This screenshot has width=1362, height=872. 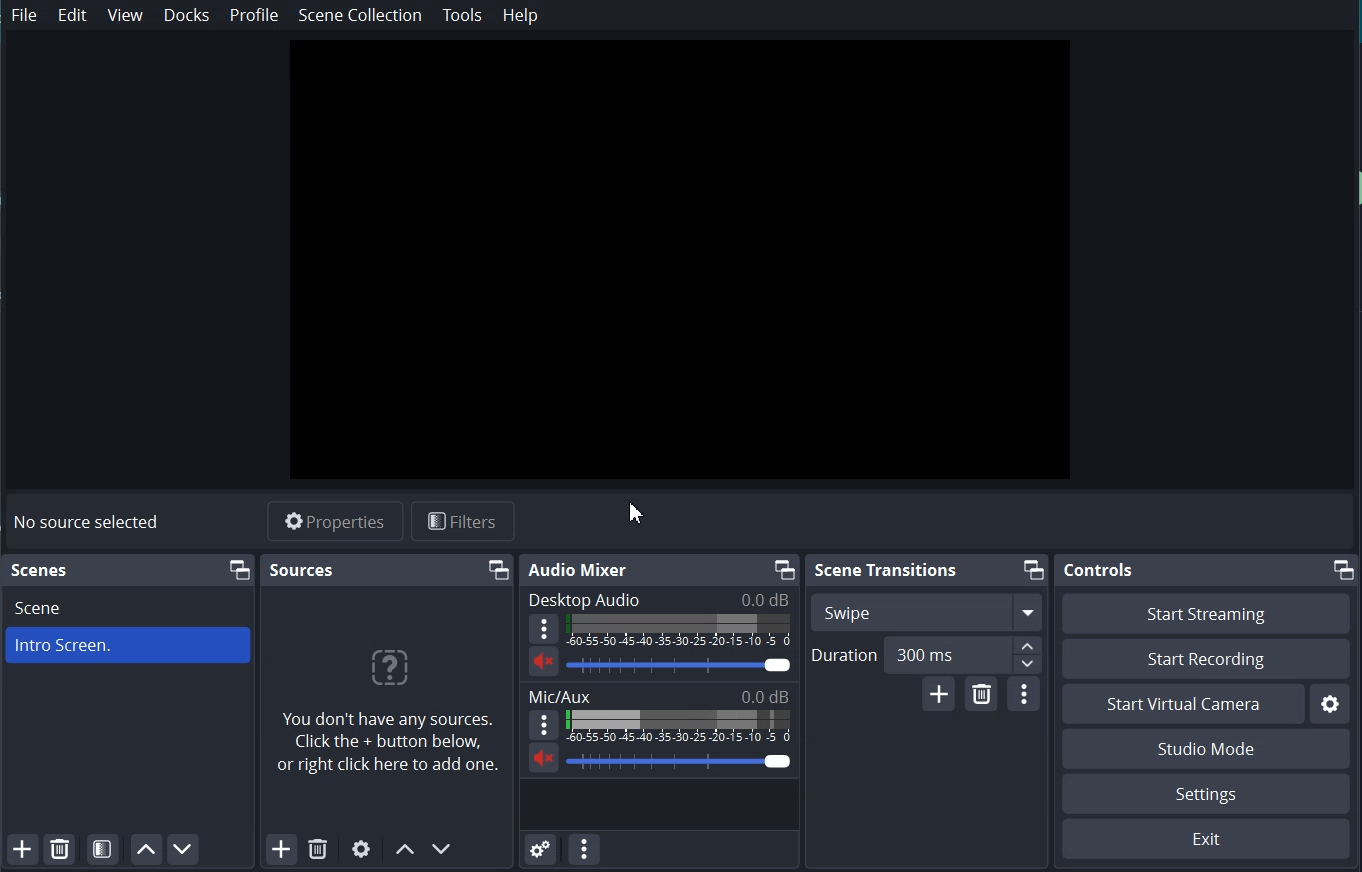 I want to click on Advance Audio Properties, so click(x=541, y=847).